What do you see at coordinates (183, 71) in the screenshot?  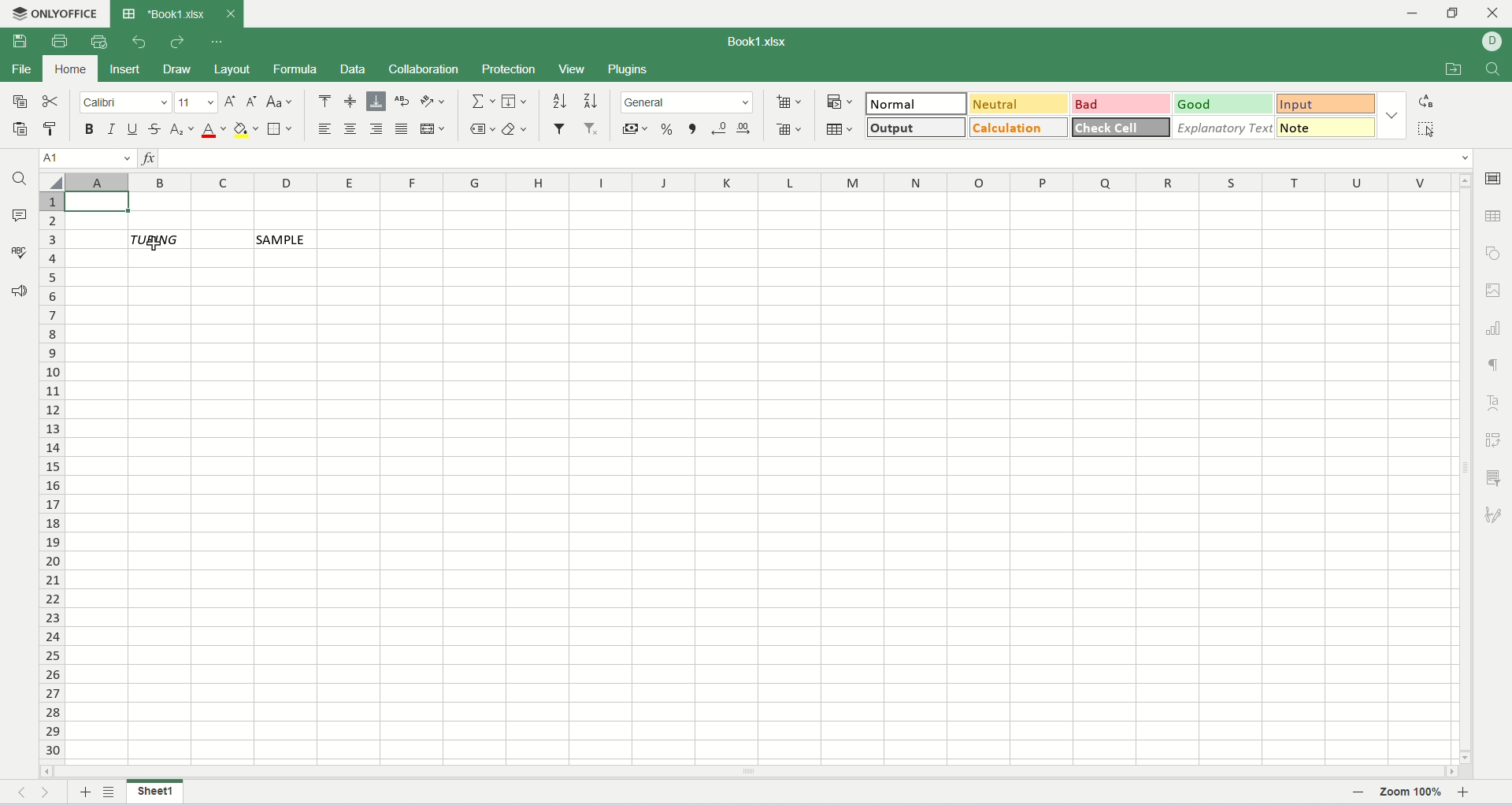 I see `draw` at bounding box center [183, 71].